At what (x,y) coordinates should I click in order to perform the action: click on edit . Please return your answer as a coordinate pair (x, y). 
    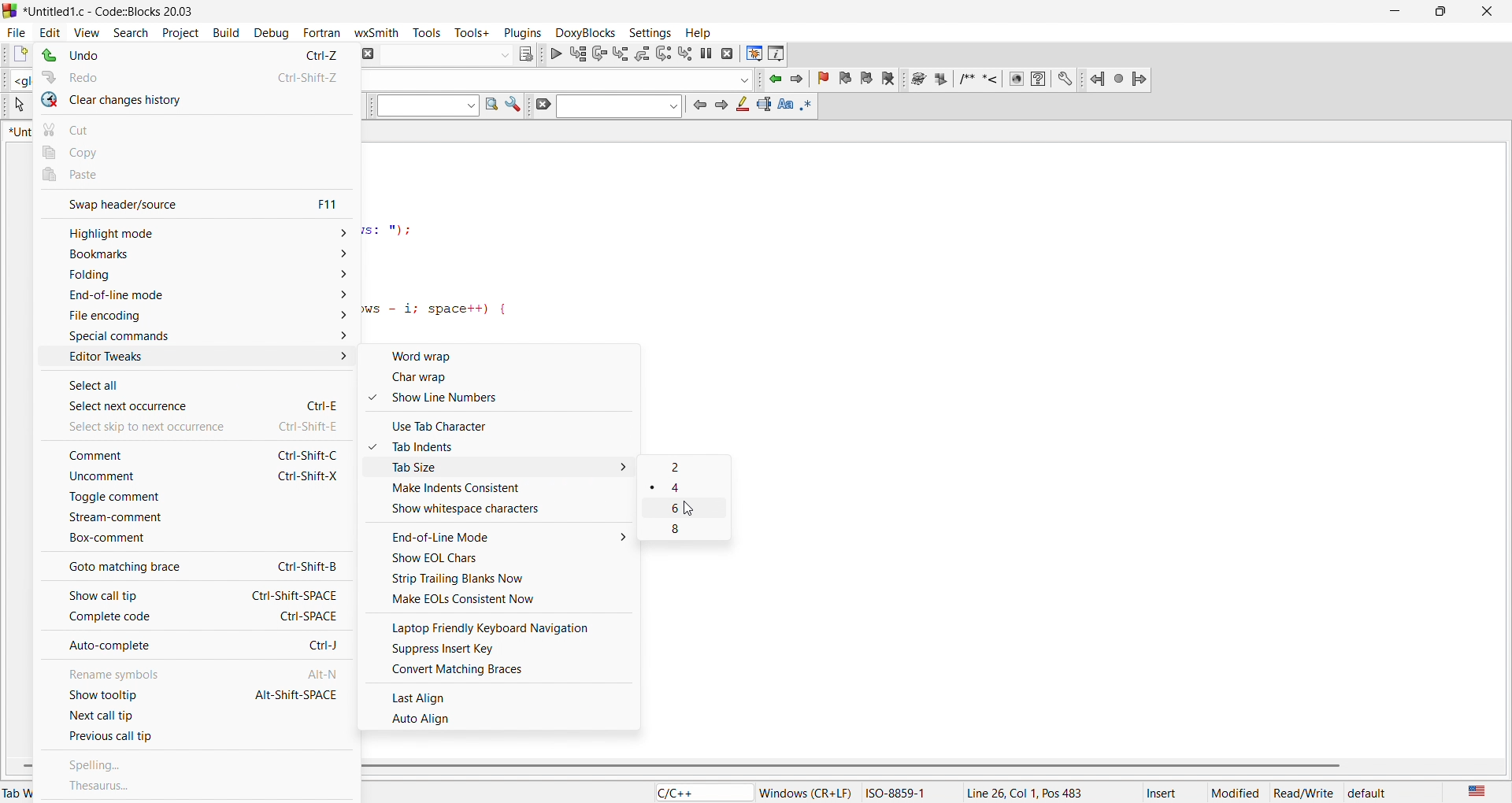
    Looking at the image, I should click on (54, 28).